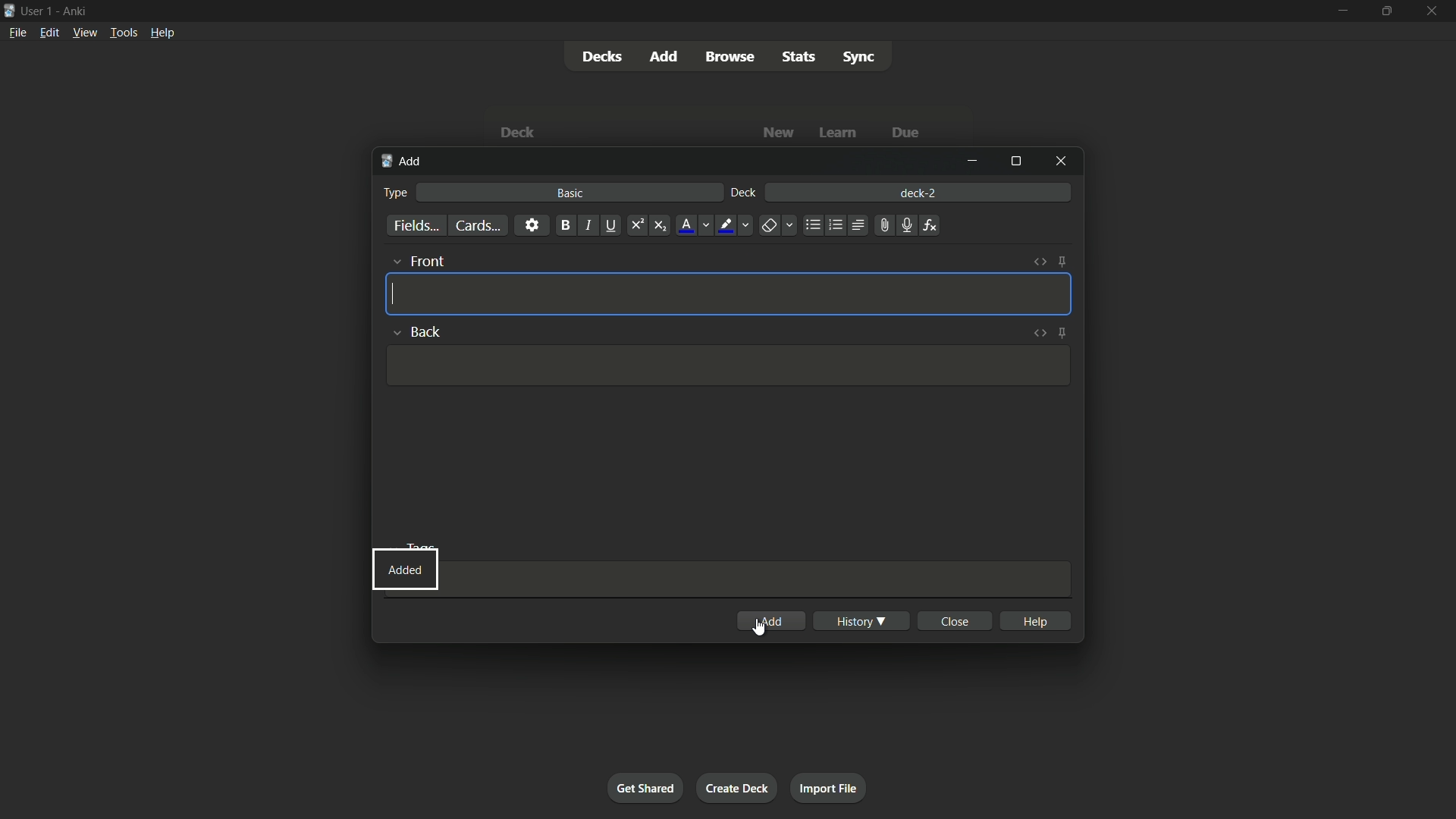 Image resolution: width=1456 pixels, height=819 pixels. Describe the element at coordinates (905, 225) in the screenshot. I see `record audio` at that location.